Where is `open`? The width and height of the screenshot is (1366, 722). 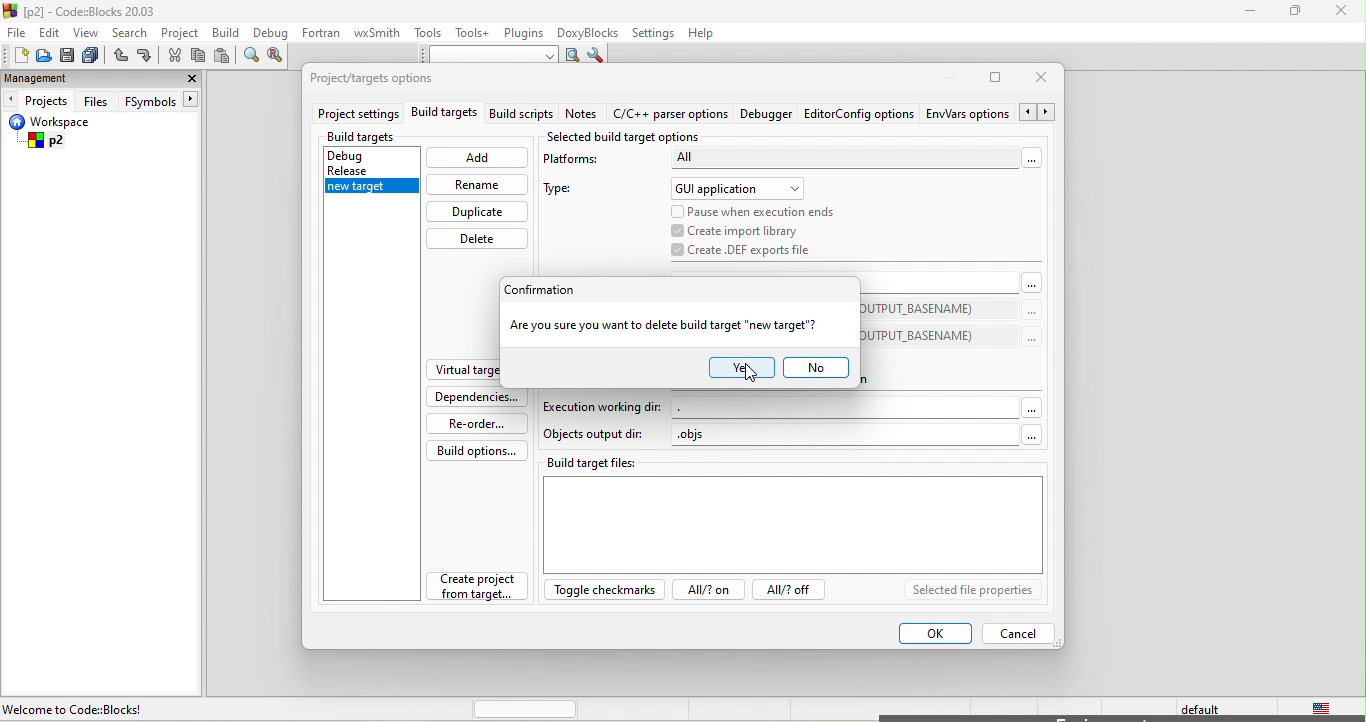 open is located at coordinates (41, 59).